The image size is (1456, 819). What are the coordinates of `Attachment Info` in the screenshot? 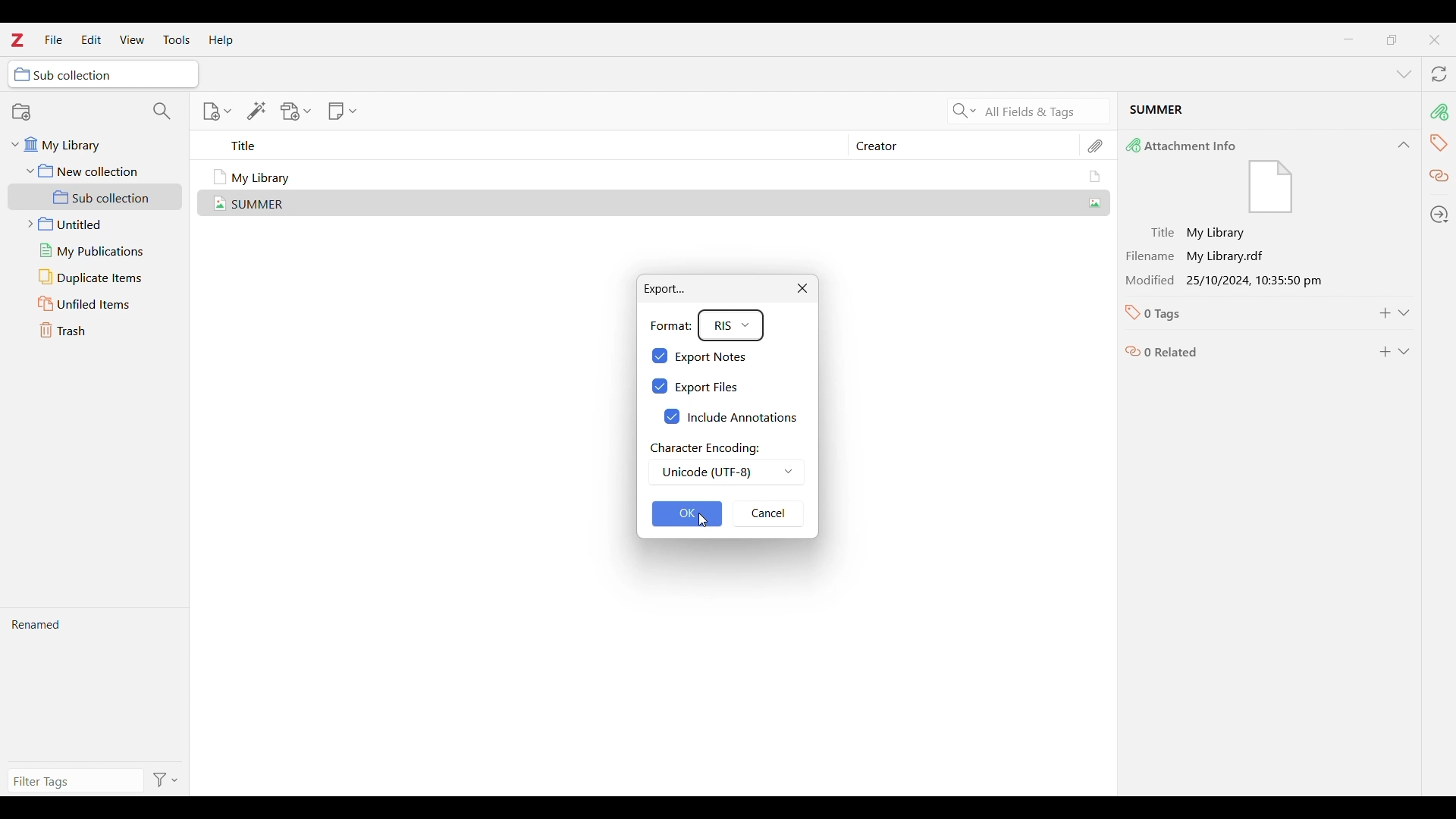 It's located at (1250, 176).